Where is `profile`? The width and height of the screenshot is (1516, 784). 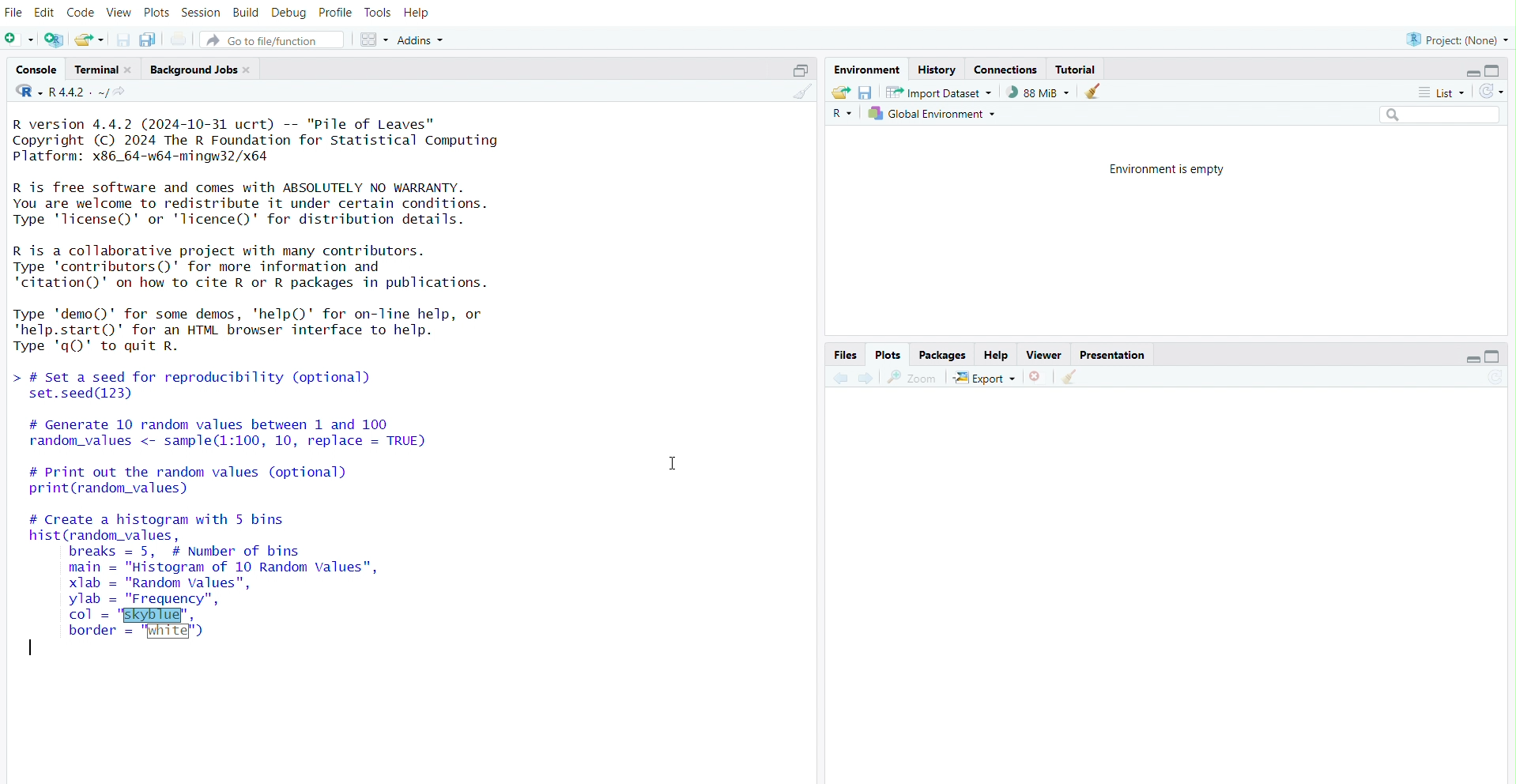 profile is located at coordinates (334, 10).